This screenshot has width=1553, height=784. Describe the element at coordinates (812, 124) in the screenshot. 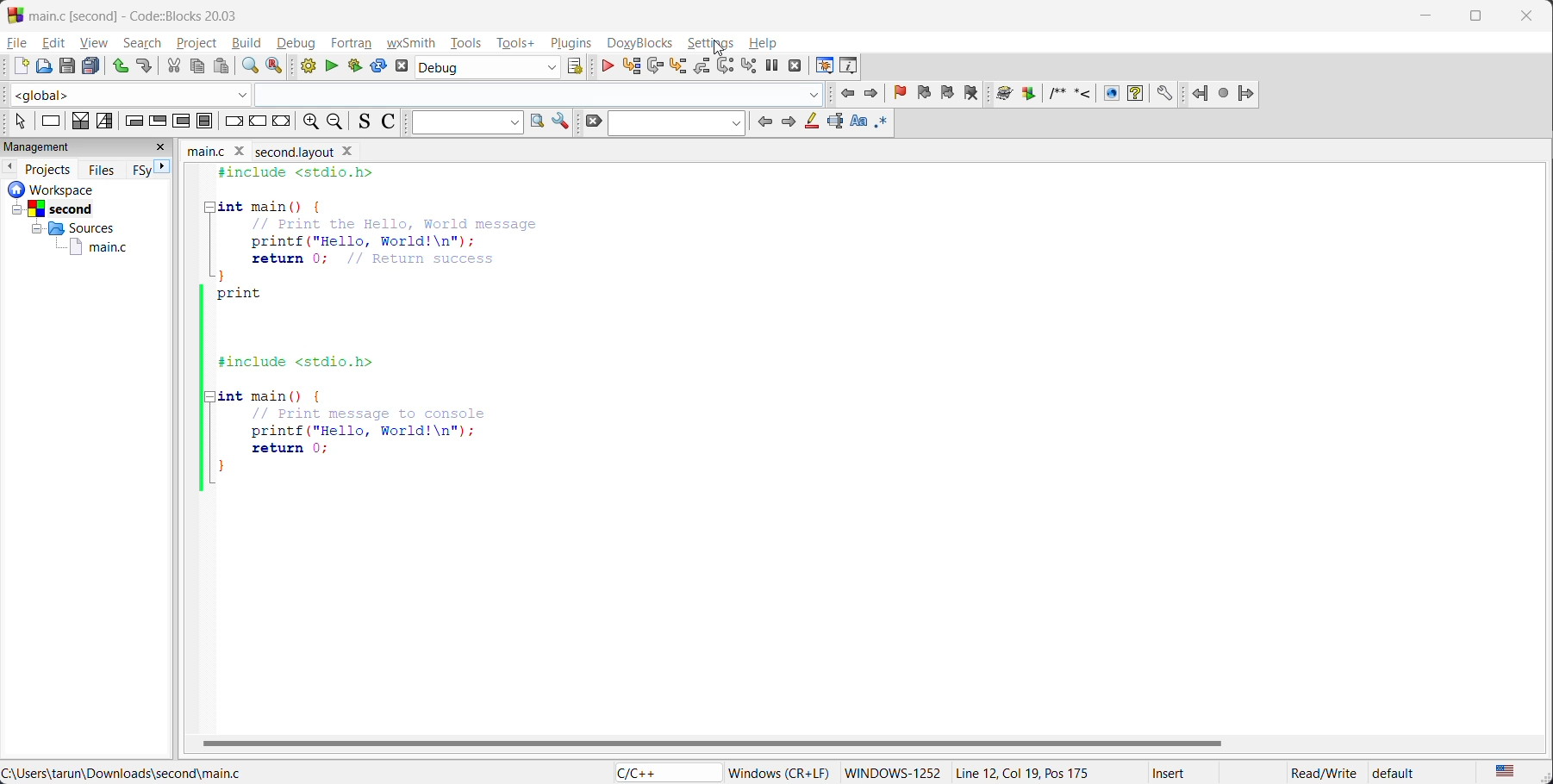

I see `highlight` at that location.